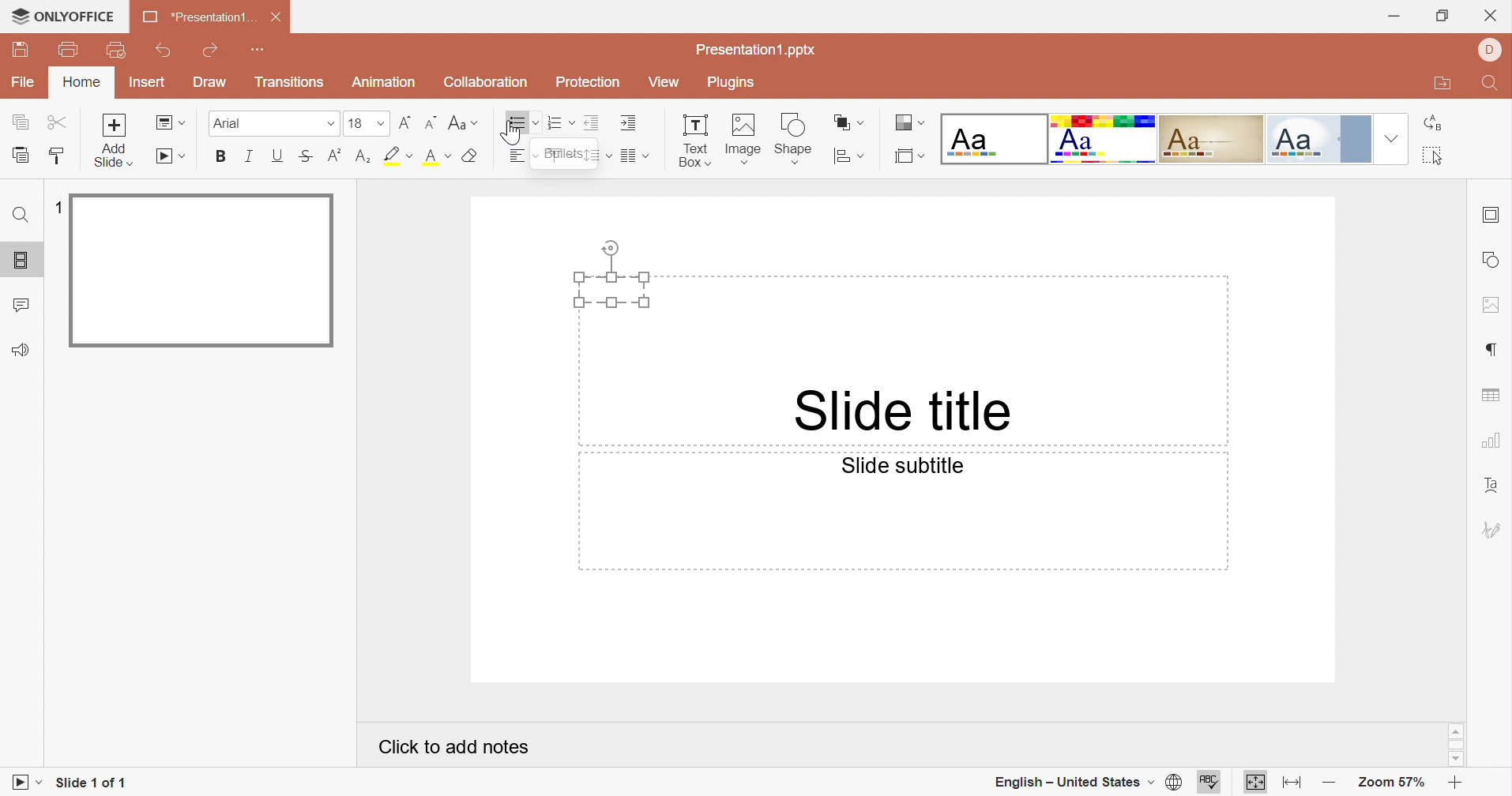 Image resolution: width=1512 pixels, height=796 pixels. I want to click on Replace, so click(1437, 126).